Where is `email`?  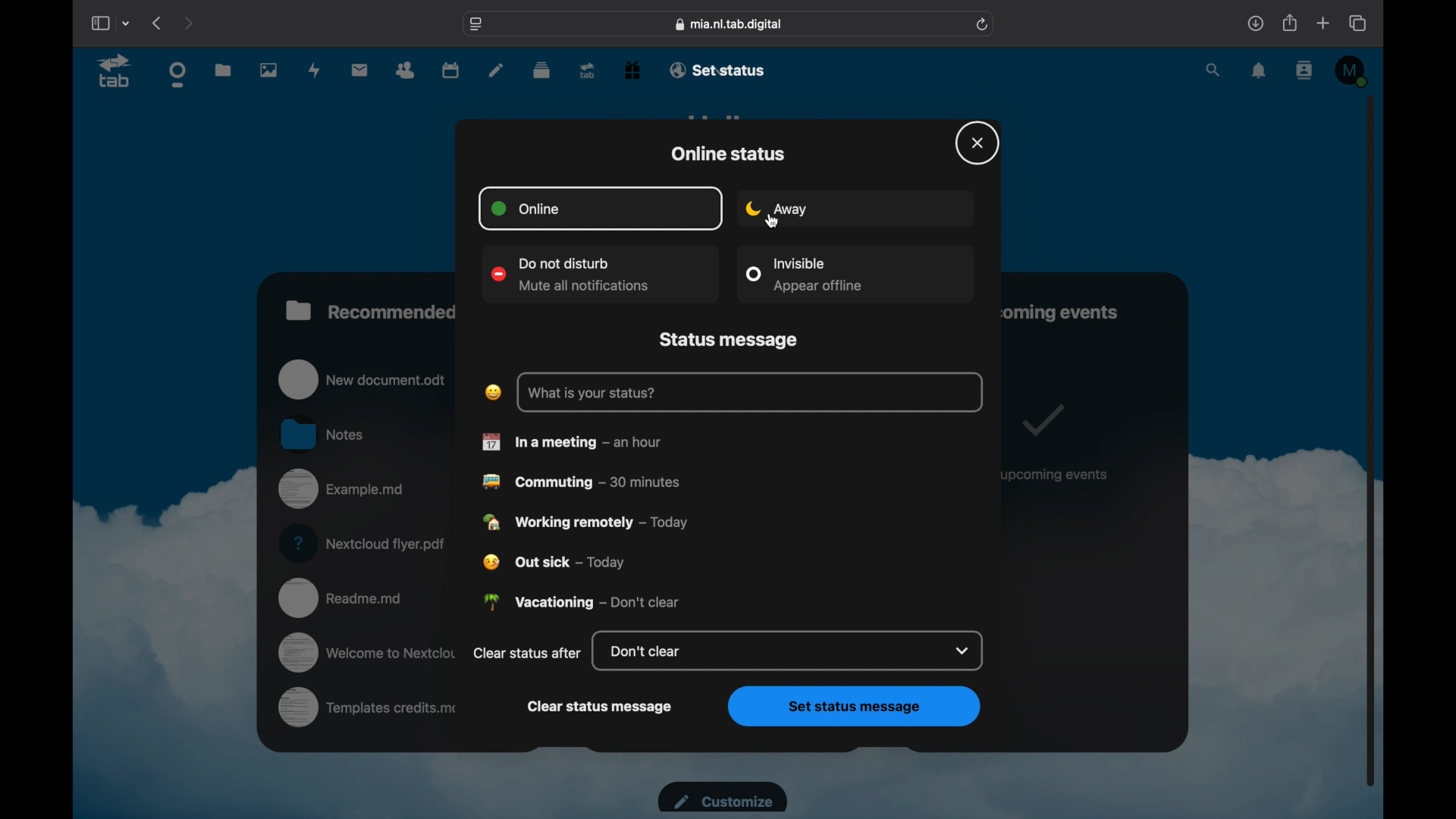 email is located at coordinates (679, 70).